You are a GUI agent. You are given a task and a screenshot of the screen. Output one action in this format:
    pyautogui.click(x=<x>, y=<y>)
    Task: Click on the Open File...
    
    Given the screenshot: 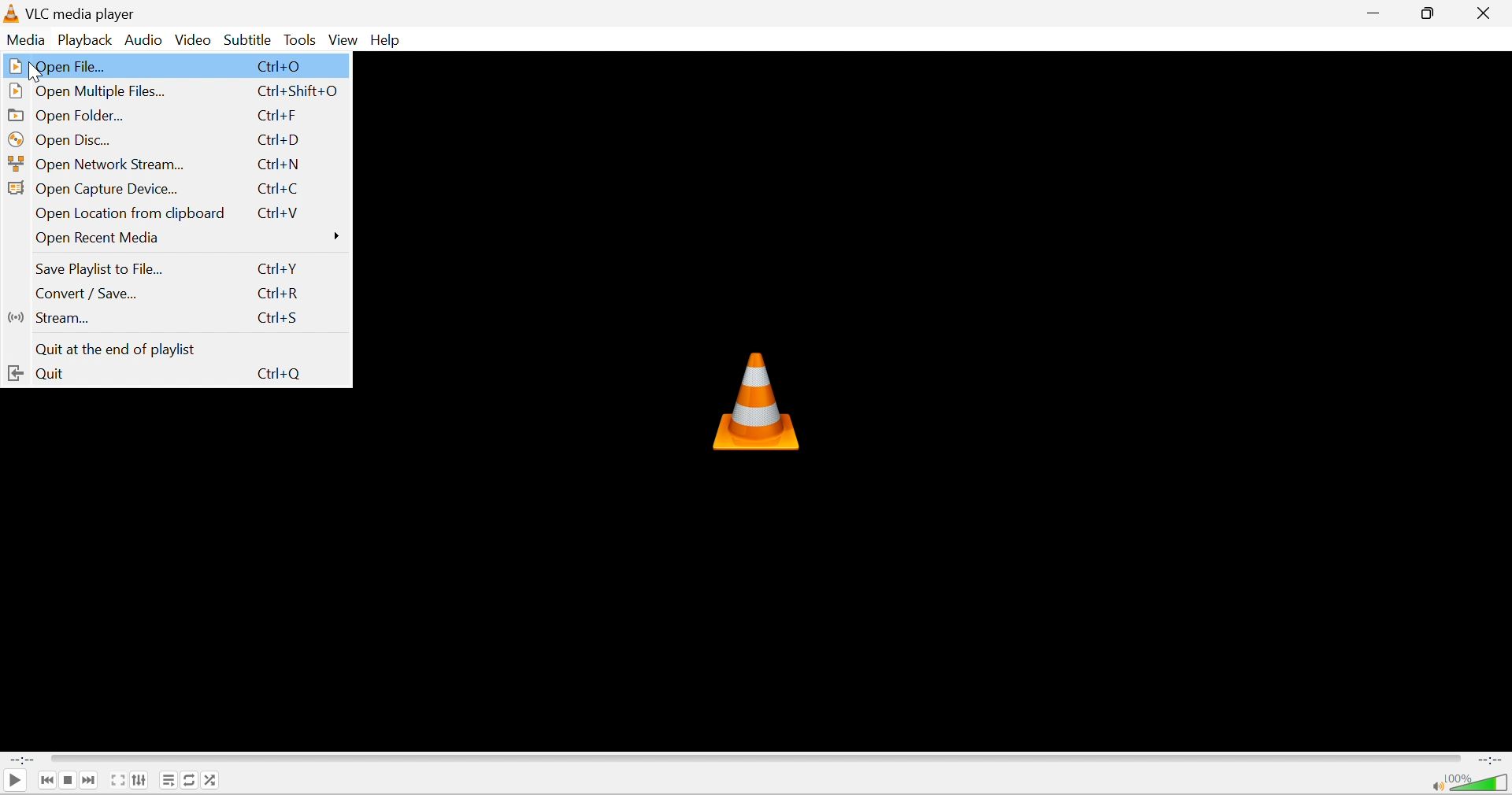 What is the action you would take?
    pyautogui.click(x=56, y=66)
    